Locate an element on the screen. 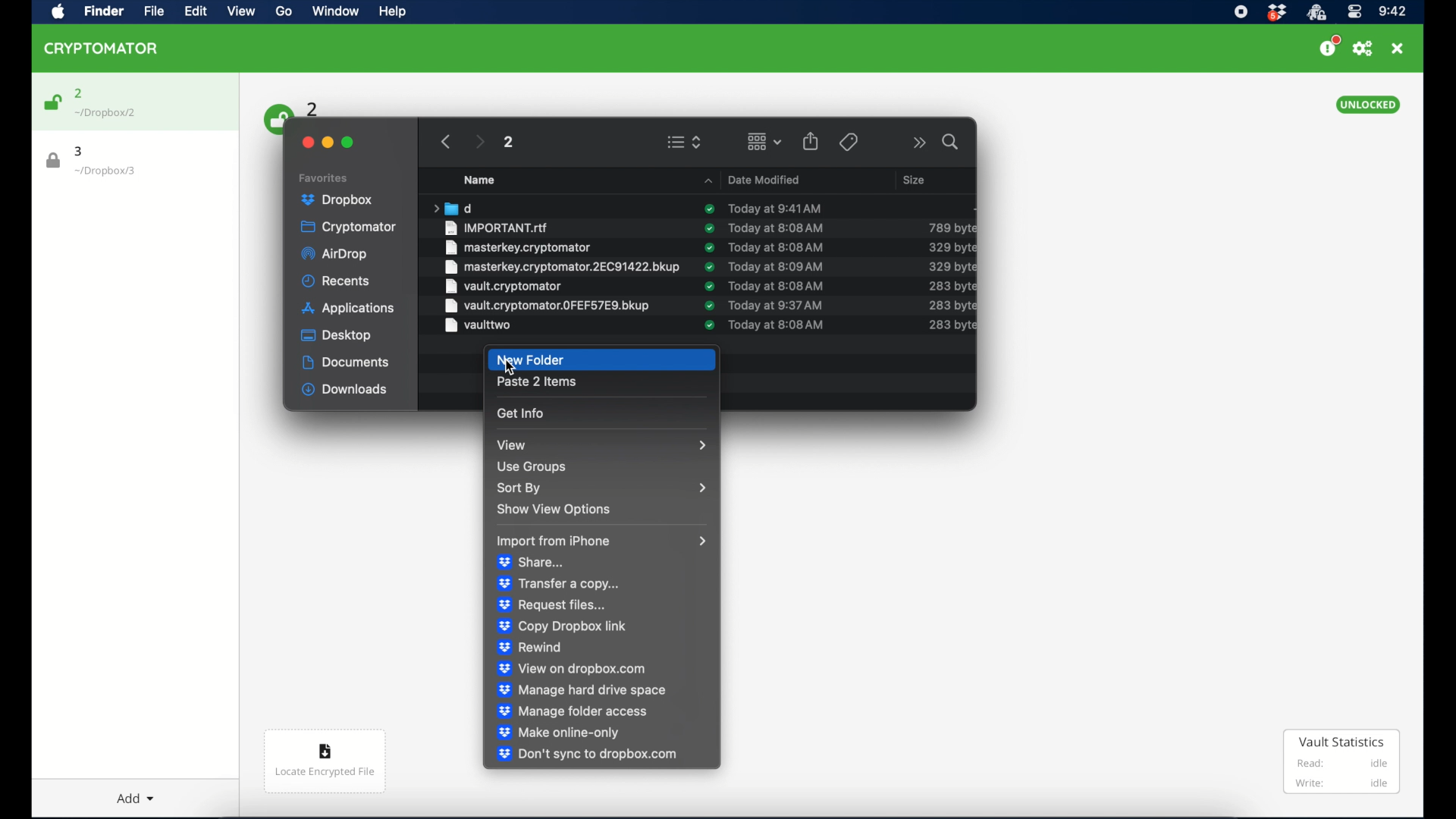 The width and height of the screenshot is (1456, 819). paste 2  items is located at coordinates (538, 382).